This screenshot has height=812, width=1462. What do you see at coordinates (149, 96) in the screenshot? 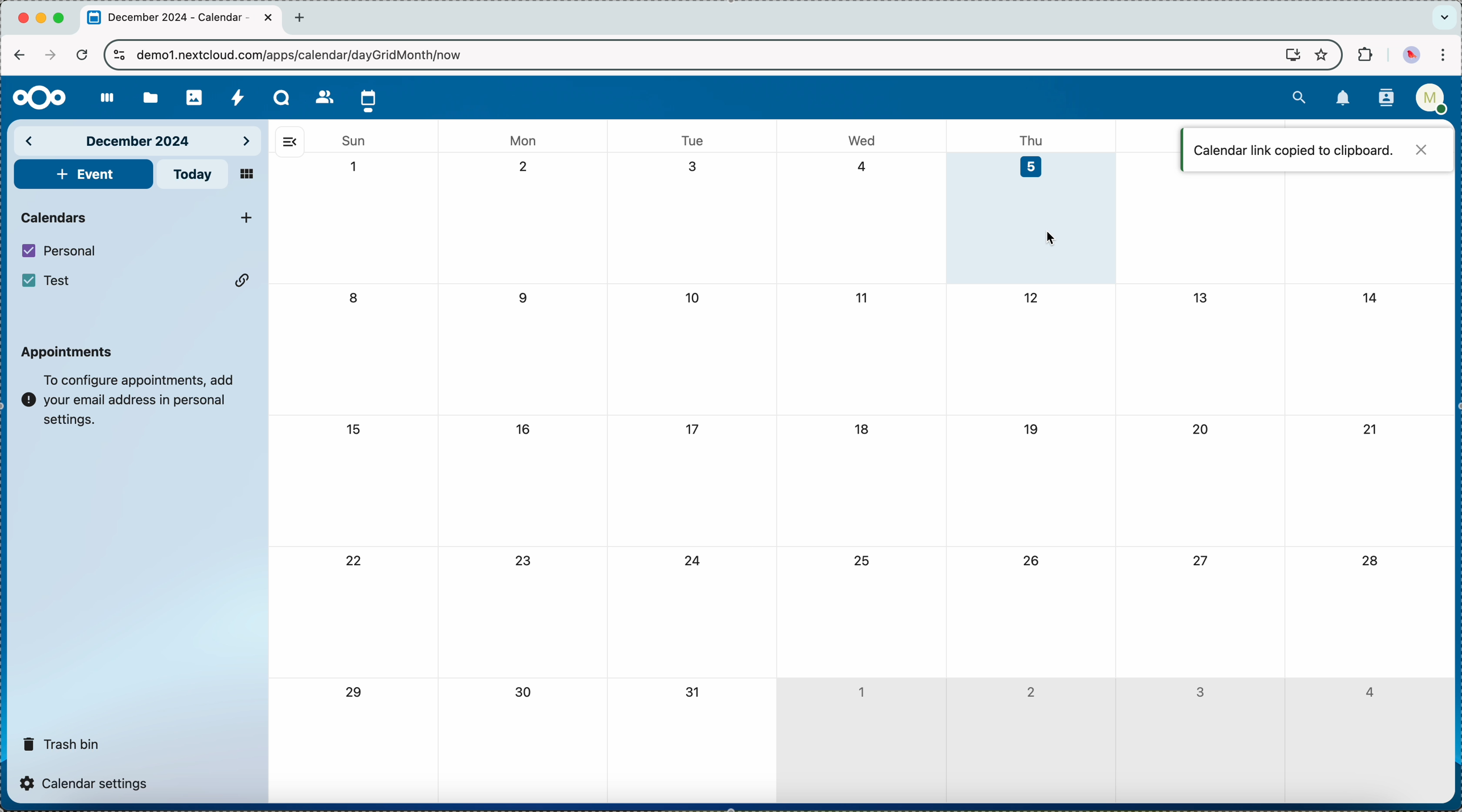
I see `files` at bounding box center [149, 96].